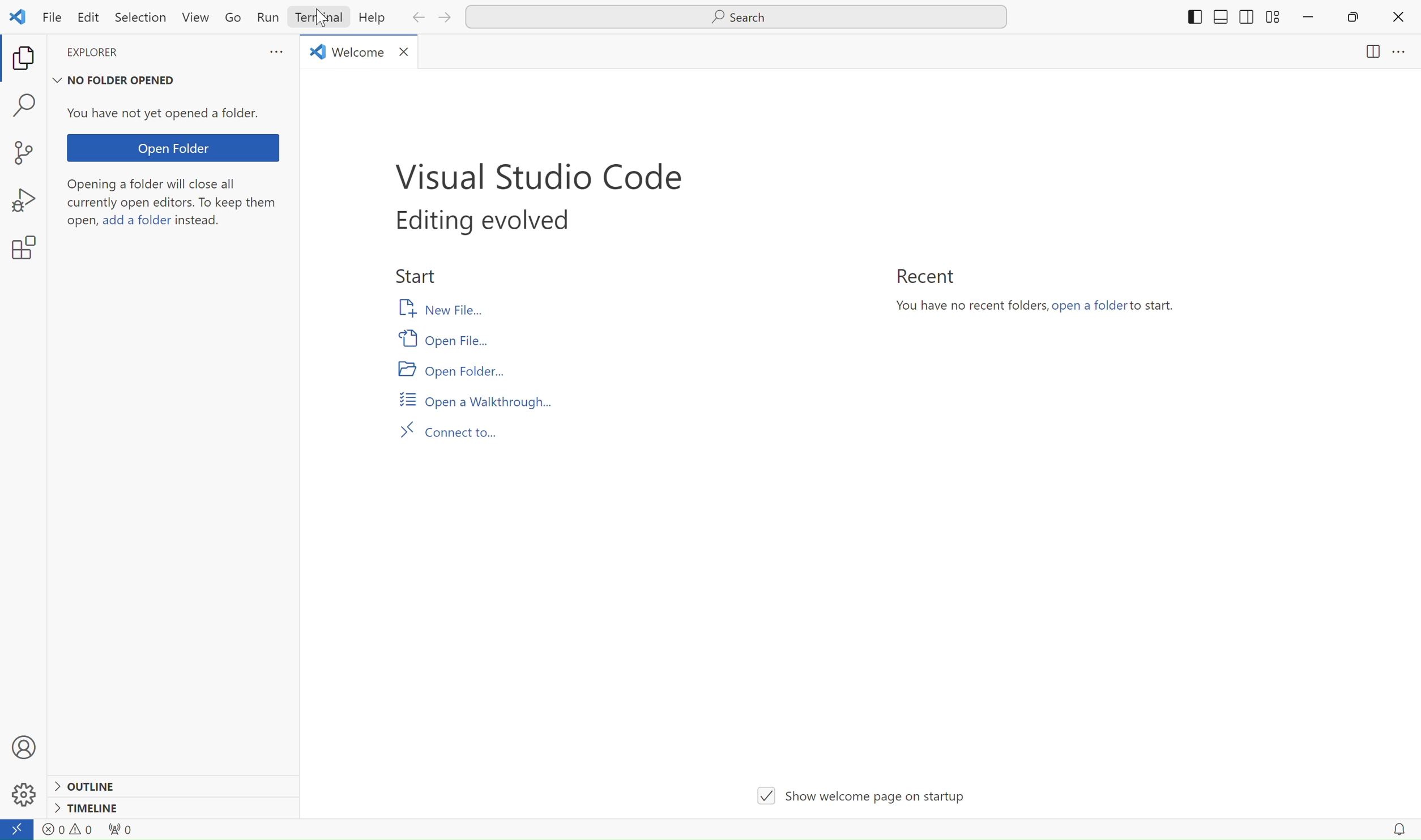 The image size is (1421, 840). Describe the element at coordinates (173, 208) in the screenshot. I see `Opening a folder will close all currently open editors. To keep them open,add a folder instead` at that location.